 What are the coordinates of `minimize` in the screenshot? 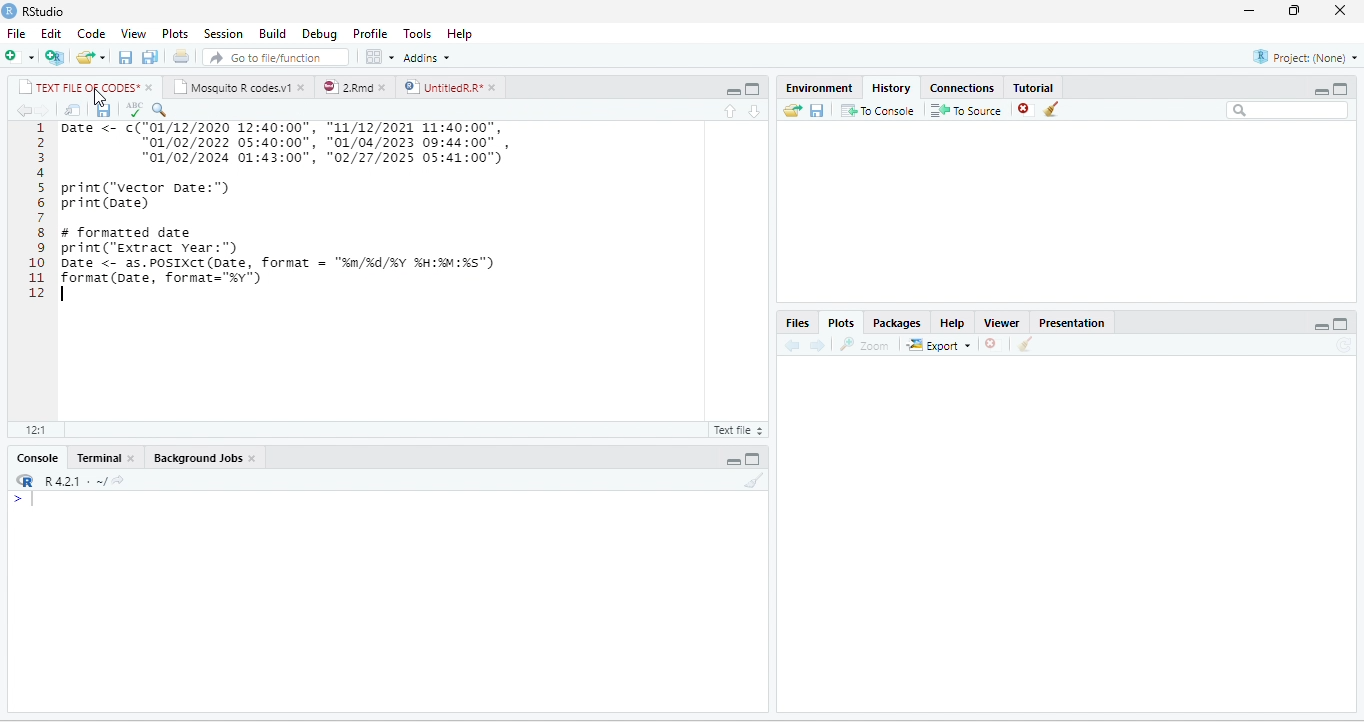 It's located at (1321, 326).